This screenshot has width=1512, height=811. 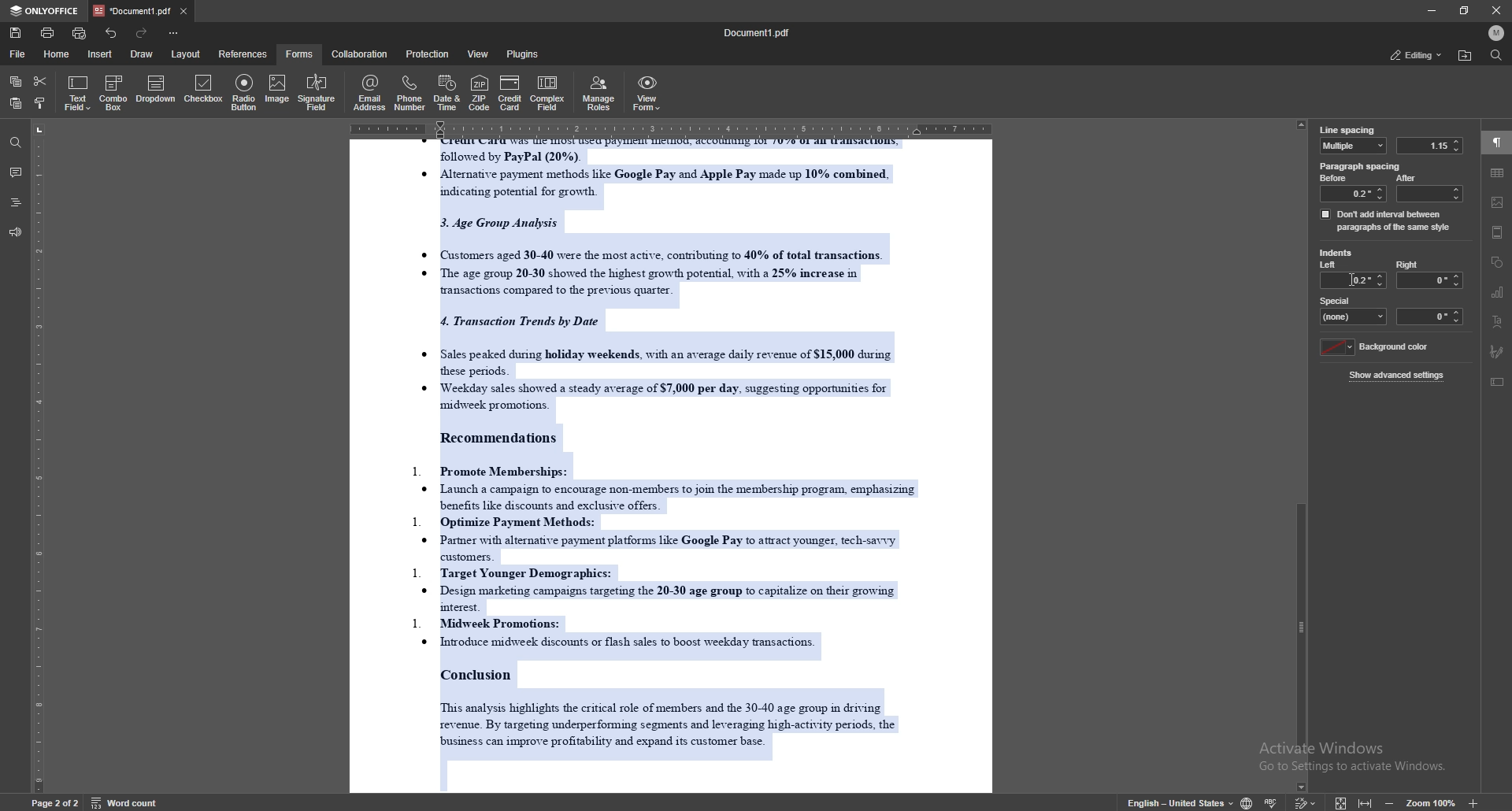 What do you see at coordinates (1366, 799) in the screenshot?
I see `fit to width` at bounding box center [1366, 799].